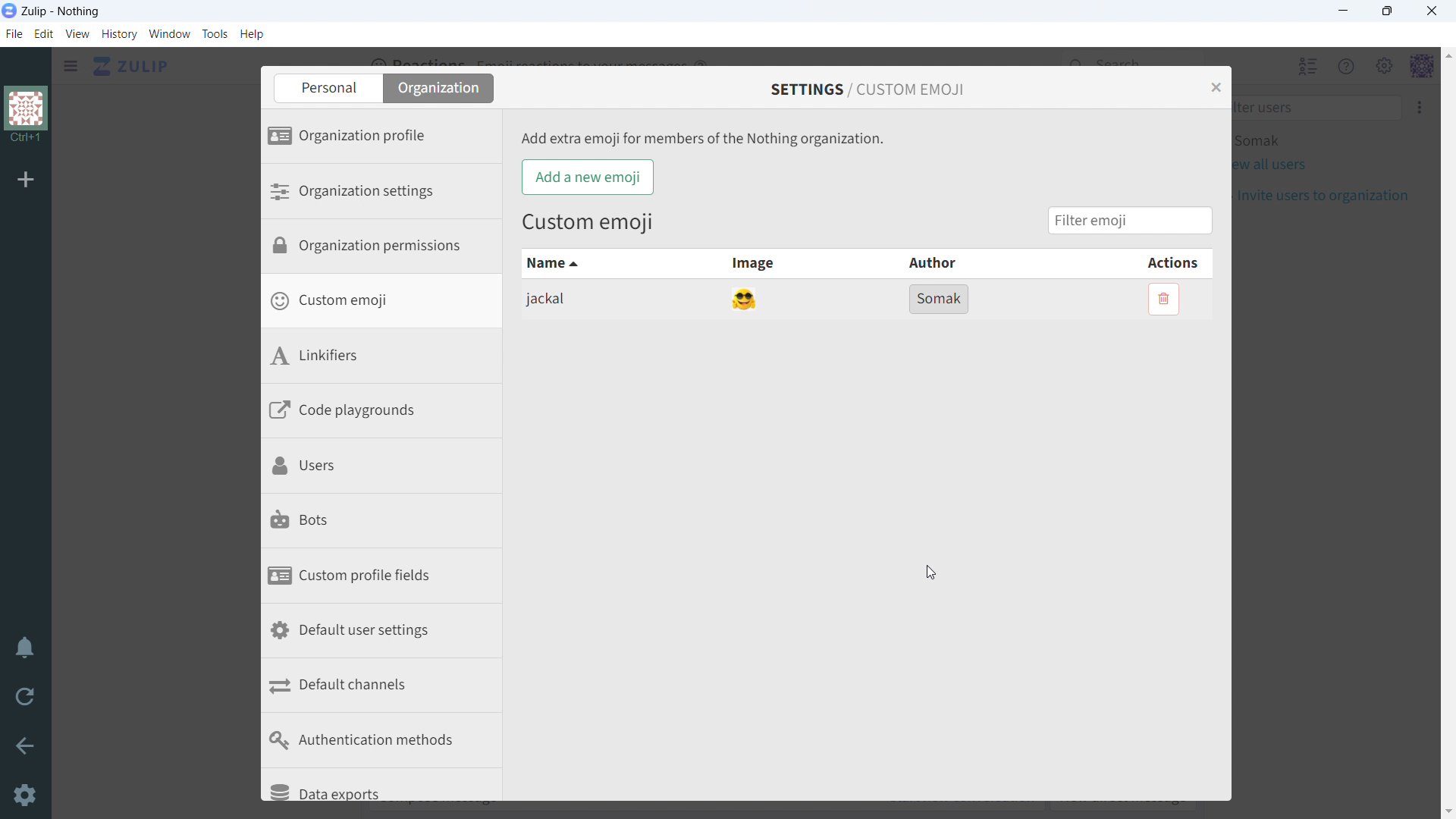  I want to click on code playgrounds, so click(389, 413).